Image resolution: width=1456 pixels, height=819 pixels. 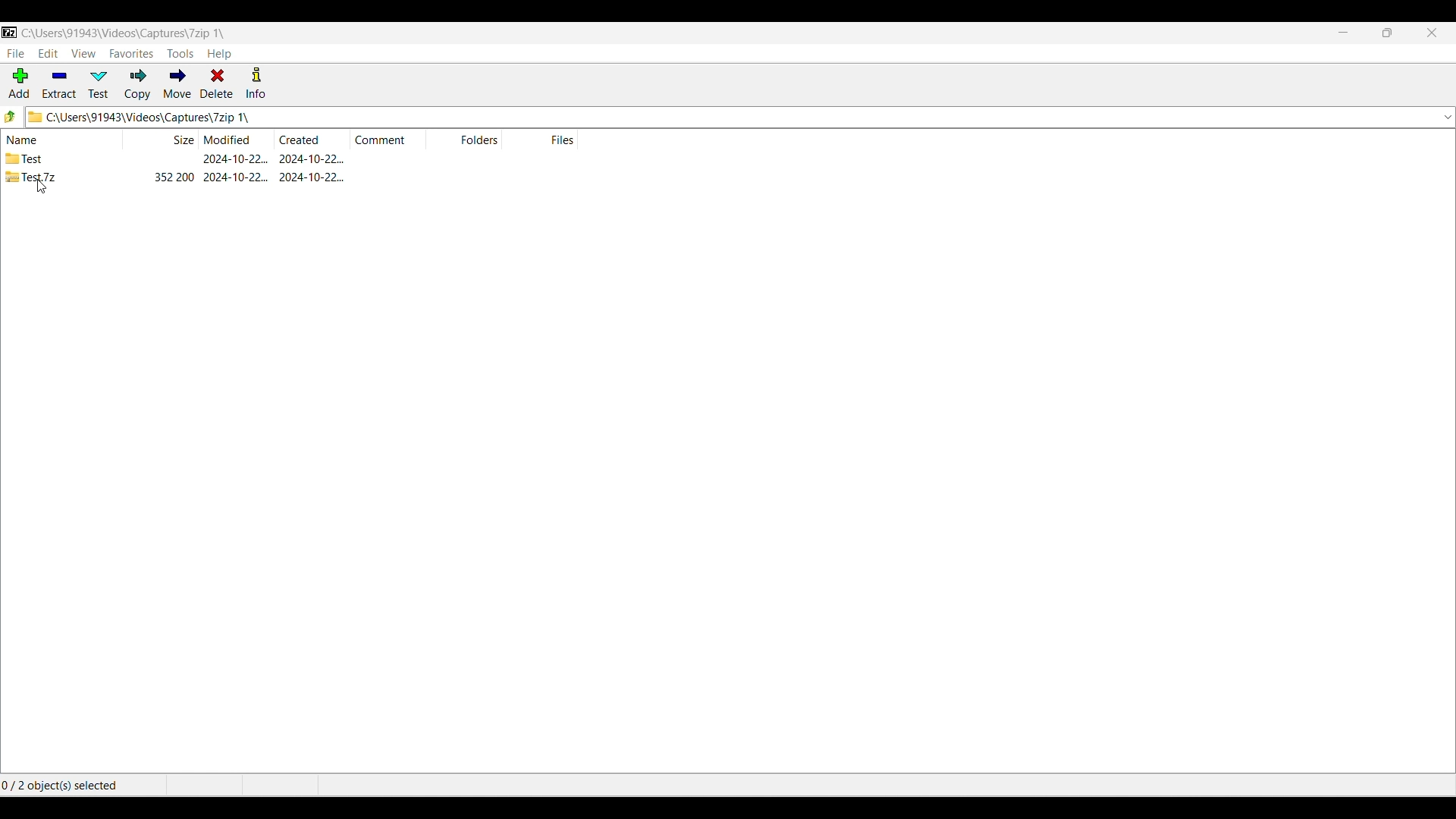 What do you see at coordinates (1343, 32) in the screenshot?
I see `Minimize` at bounding box center [1343, 32].